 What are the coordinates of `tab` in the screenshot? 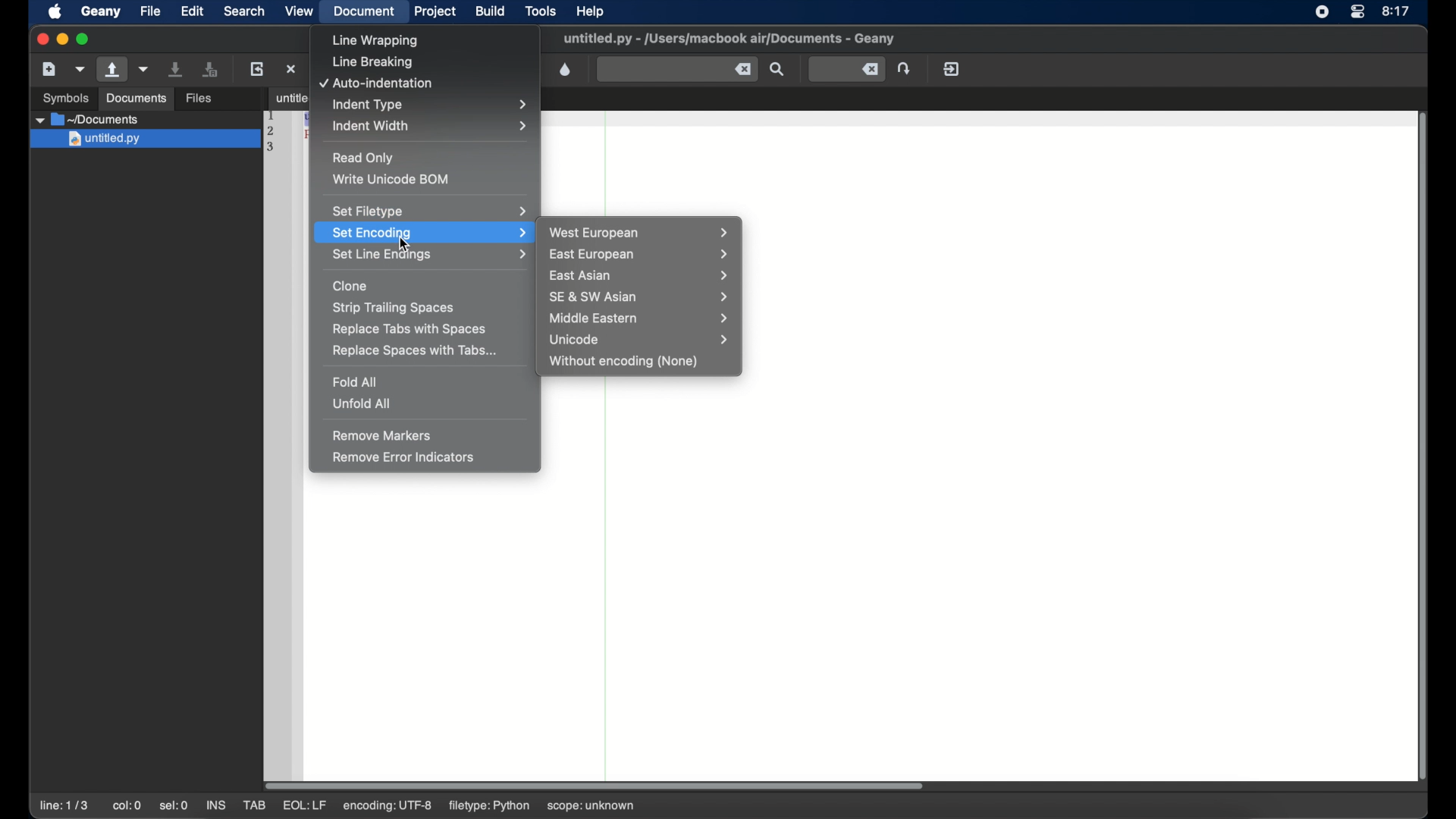 It's located at (285, 97).